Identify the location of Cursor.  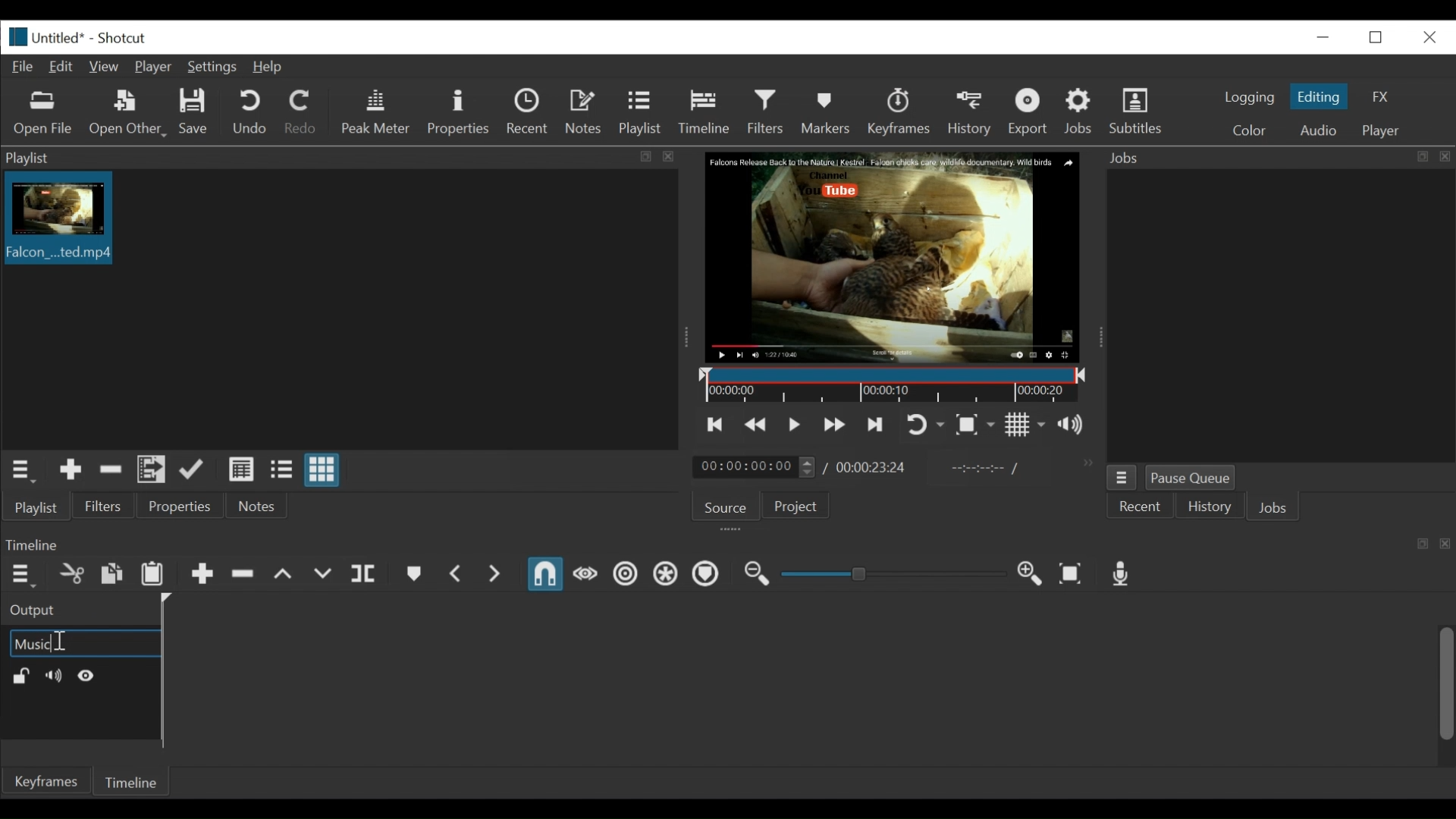
(58, 643).